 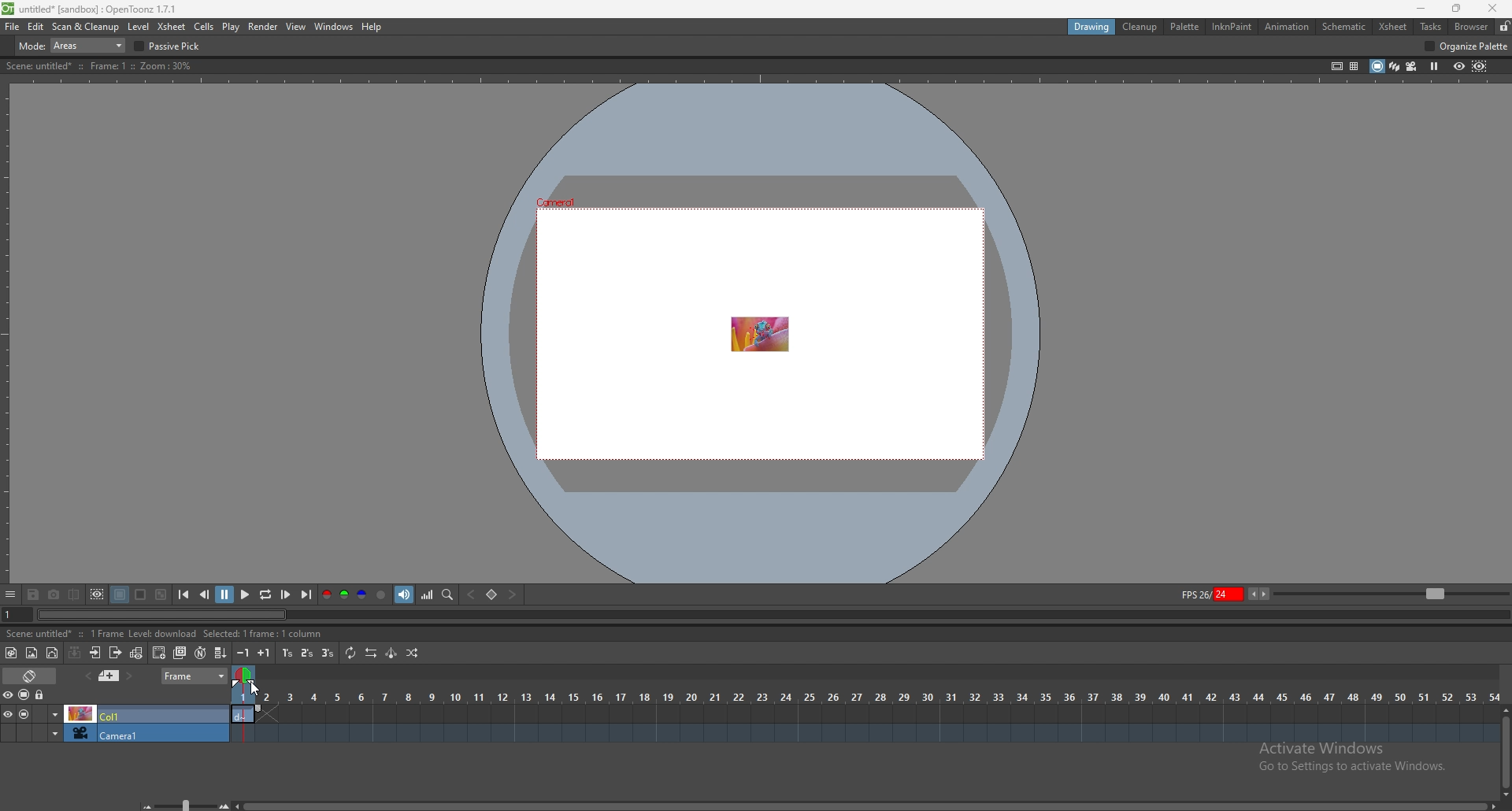 I want to click on new vector level, so click(x=52, y=653).